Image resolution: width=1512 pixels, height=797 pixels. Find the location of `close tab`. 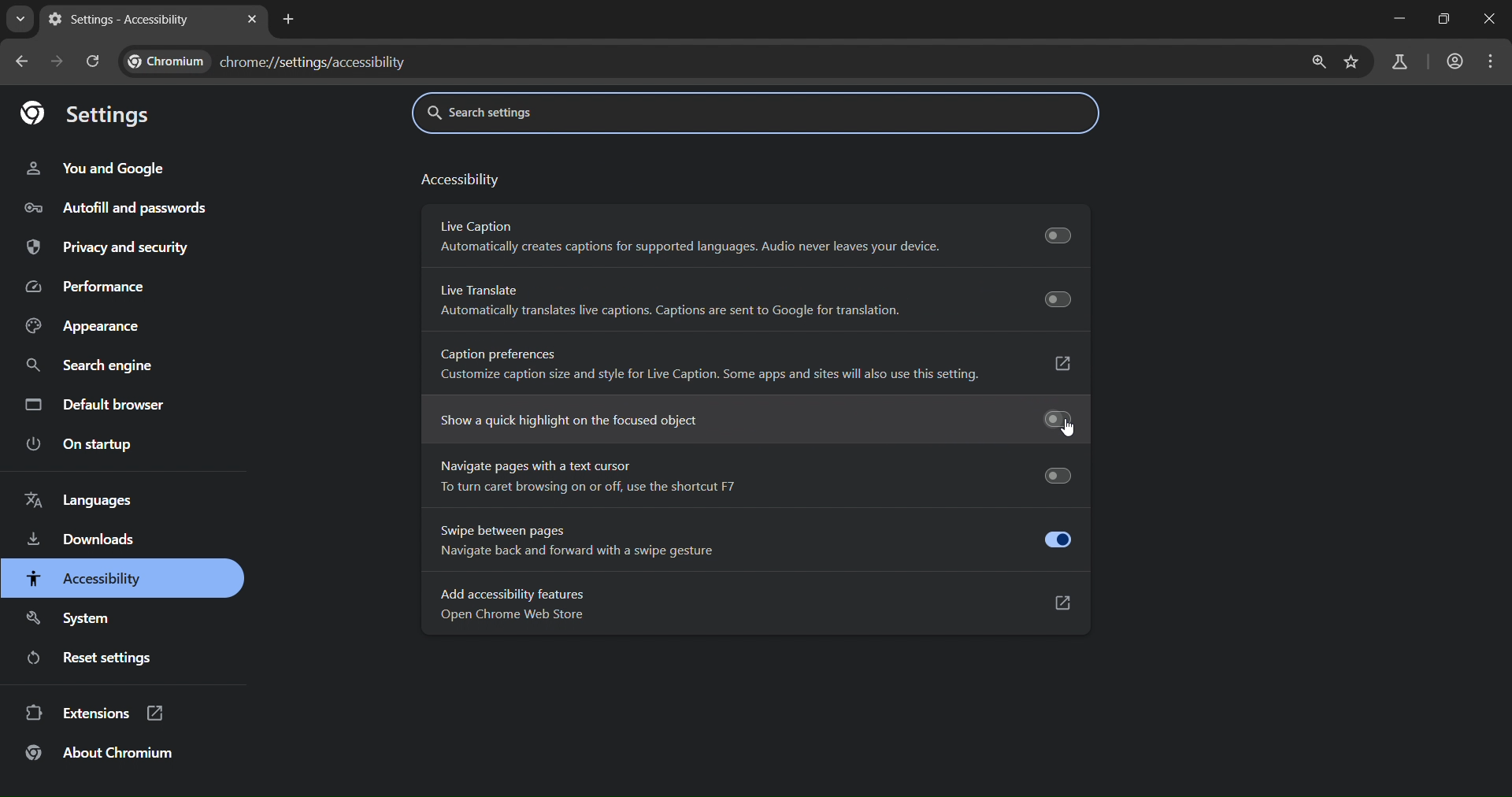

close tab is located at coordinates (252, 21).